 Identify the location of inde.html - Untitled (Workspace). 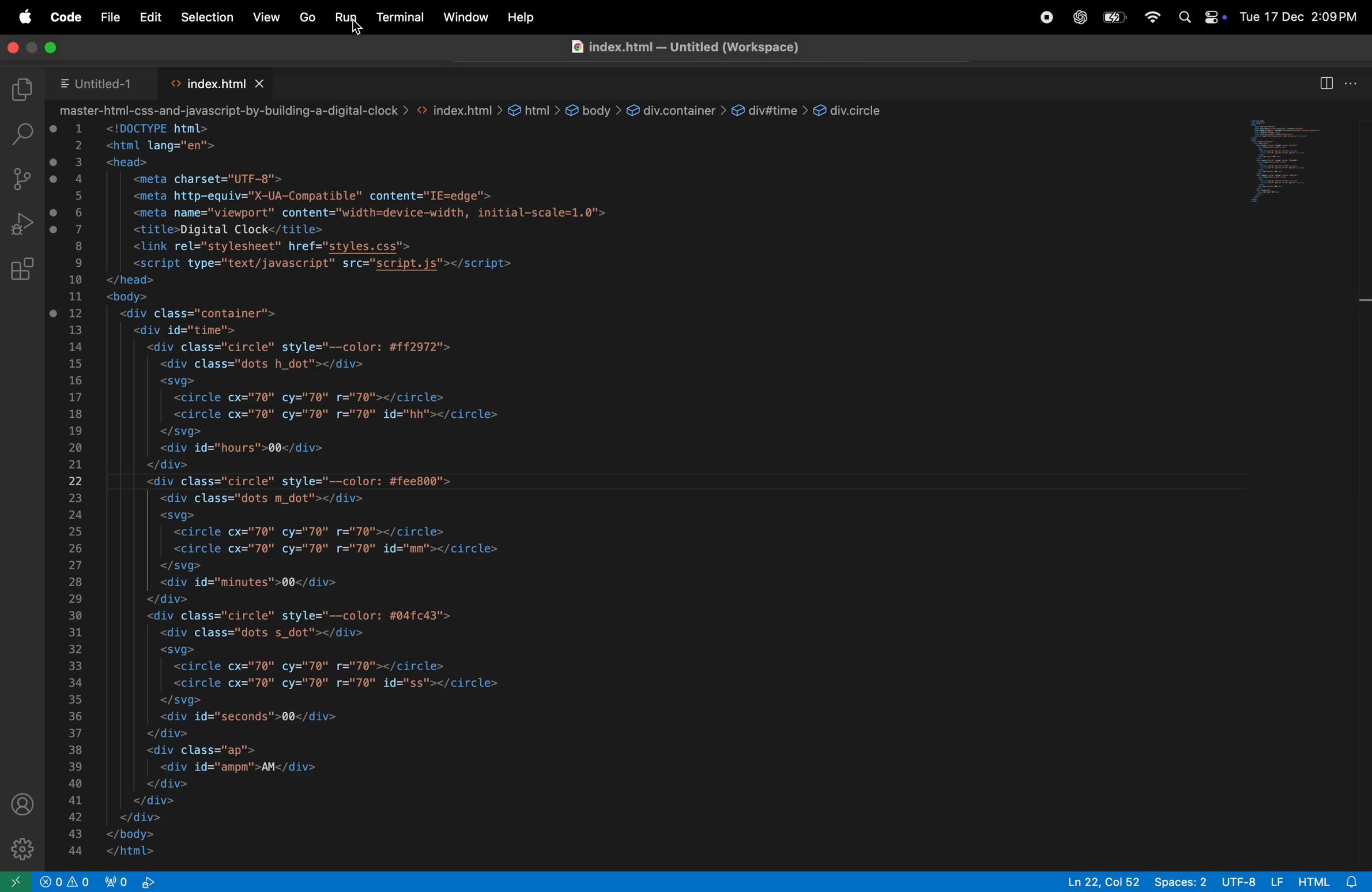
(685, 47).